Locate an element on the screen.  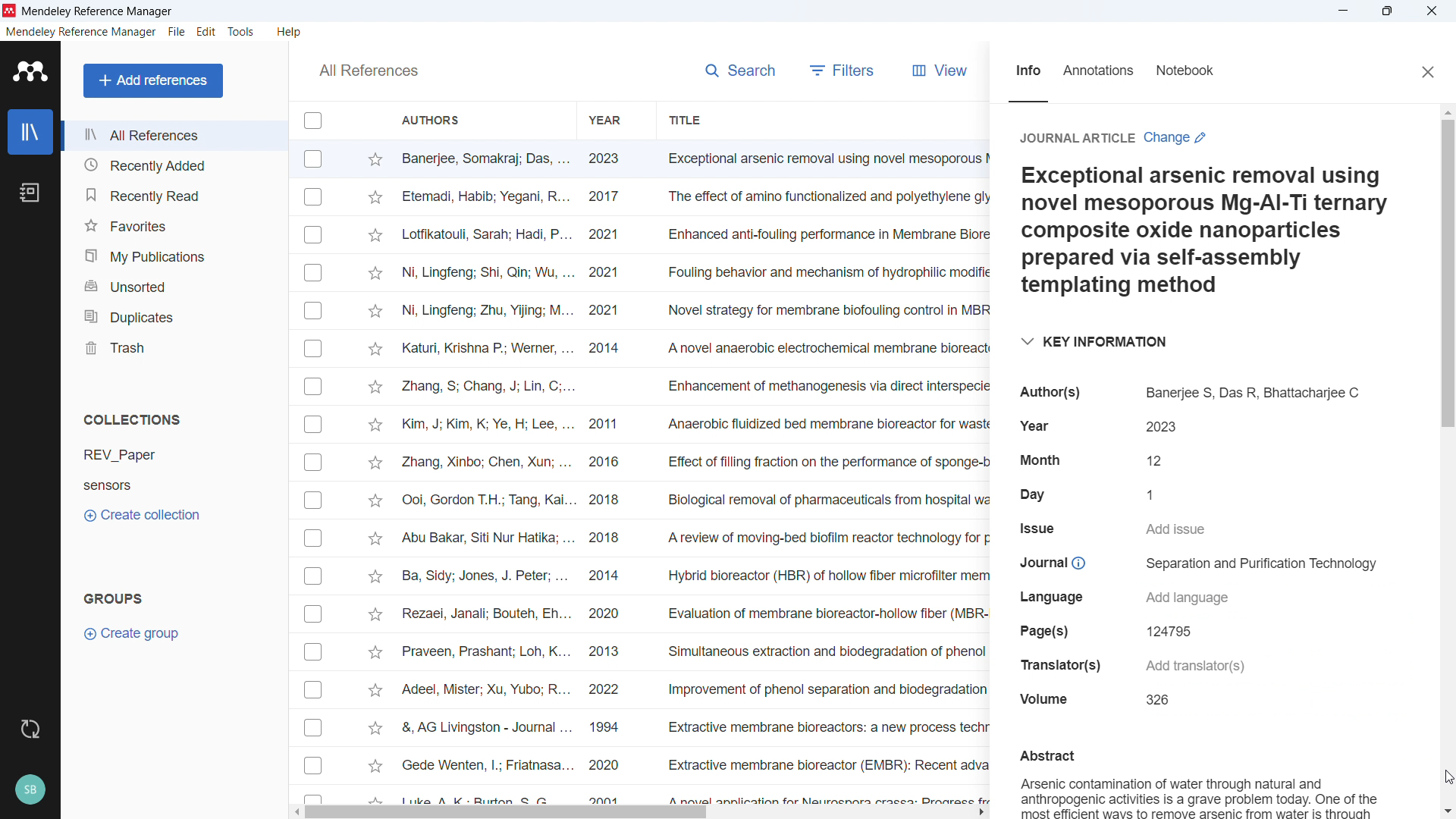
ooi,gordon t.h,tang,kai is located at coordinates (485, 501).